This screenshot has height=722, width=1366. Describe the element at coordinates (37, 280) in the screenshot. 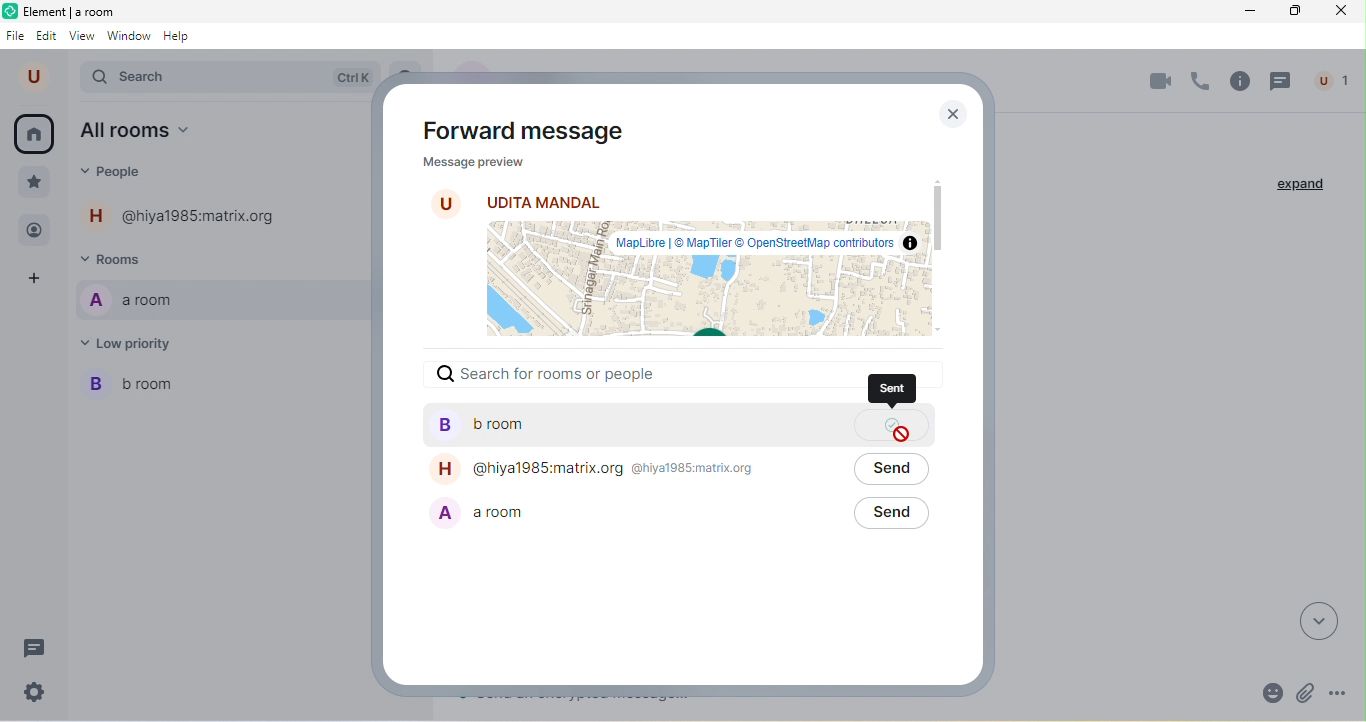

I see `add space` at that location.